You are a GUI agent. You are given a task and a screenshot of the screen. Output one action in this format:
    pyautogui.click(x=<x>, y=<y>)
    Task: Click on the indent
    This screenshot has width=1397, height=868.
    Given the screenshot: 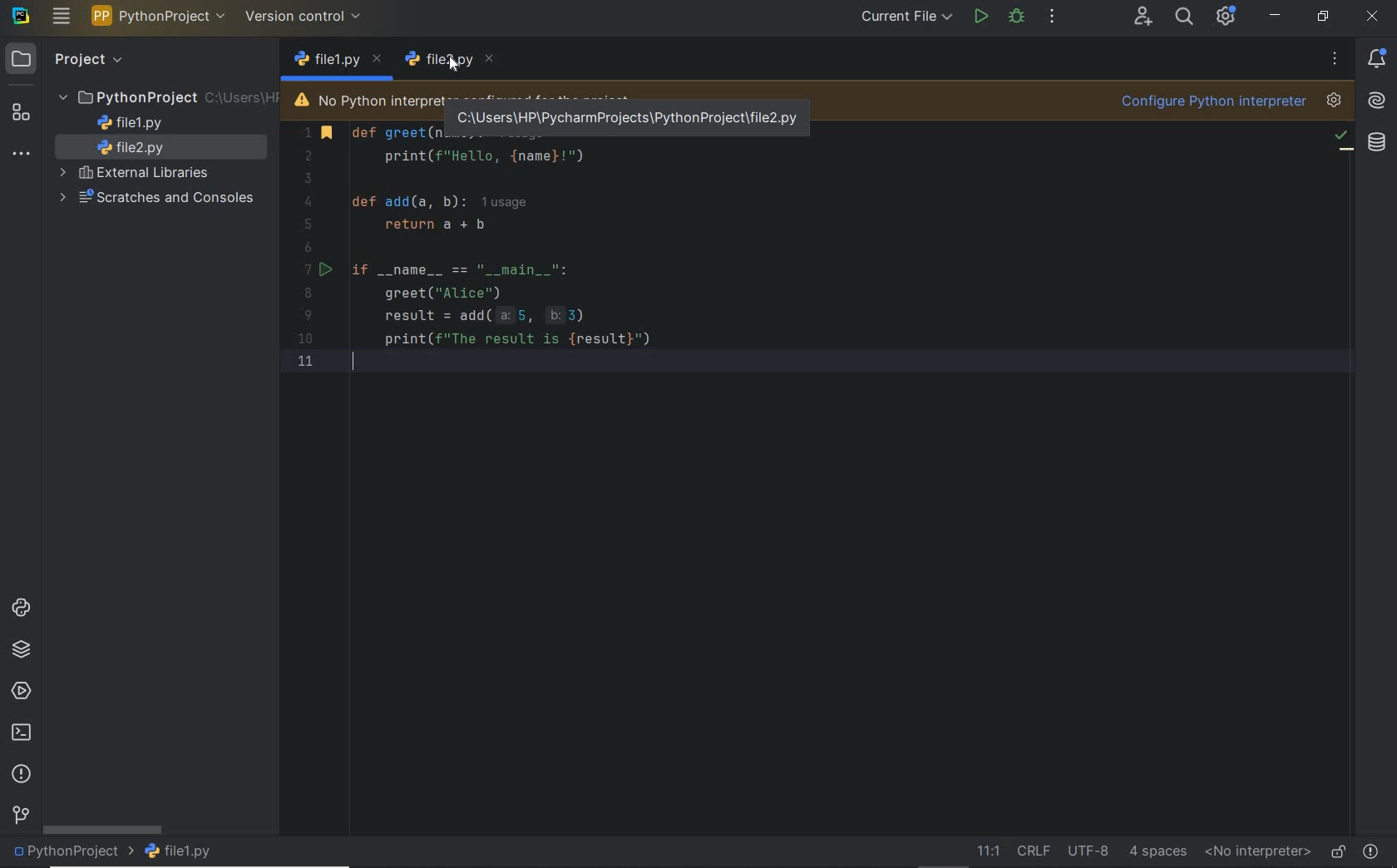 What is the action you would take?
    pyautogui.click(x=1157, y=851)
    